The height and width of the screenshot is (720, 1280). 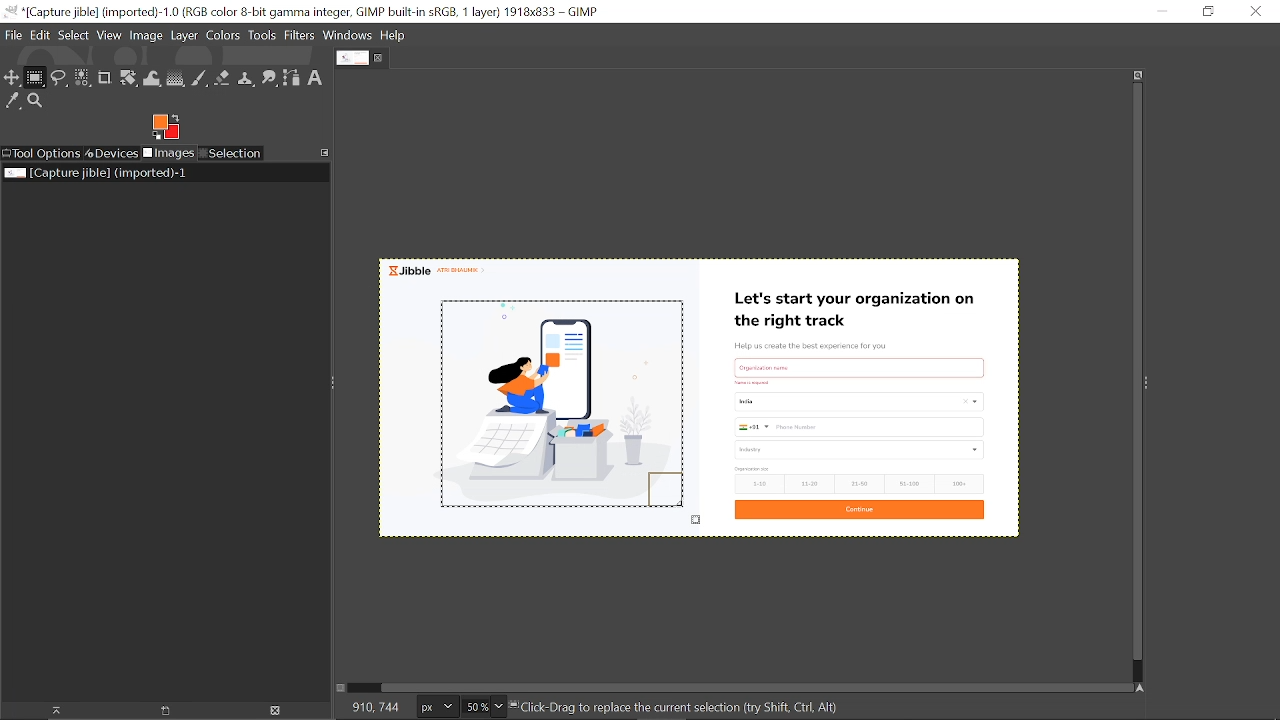 I want to click on Horizontal scrollbar, so click(x=745, y=686).